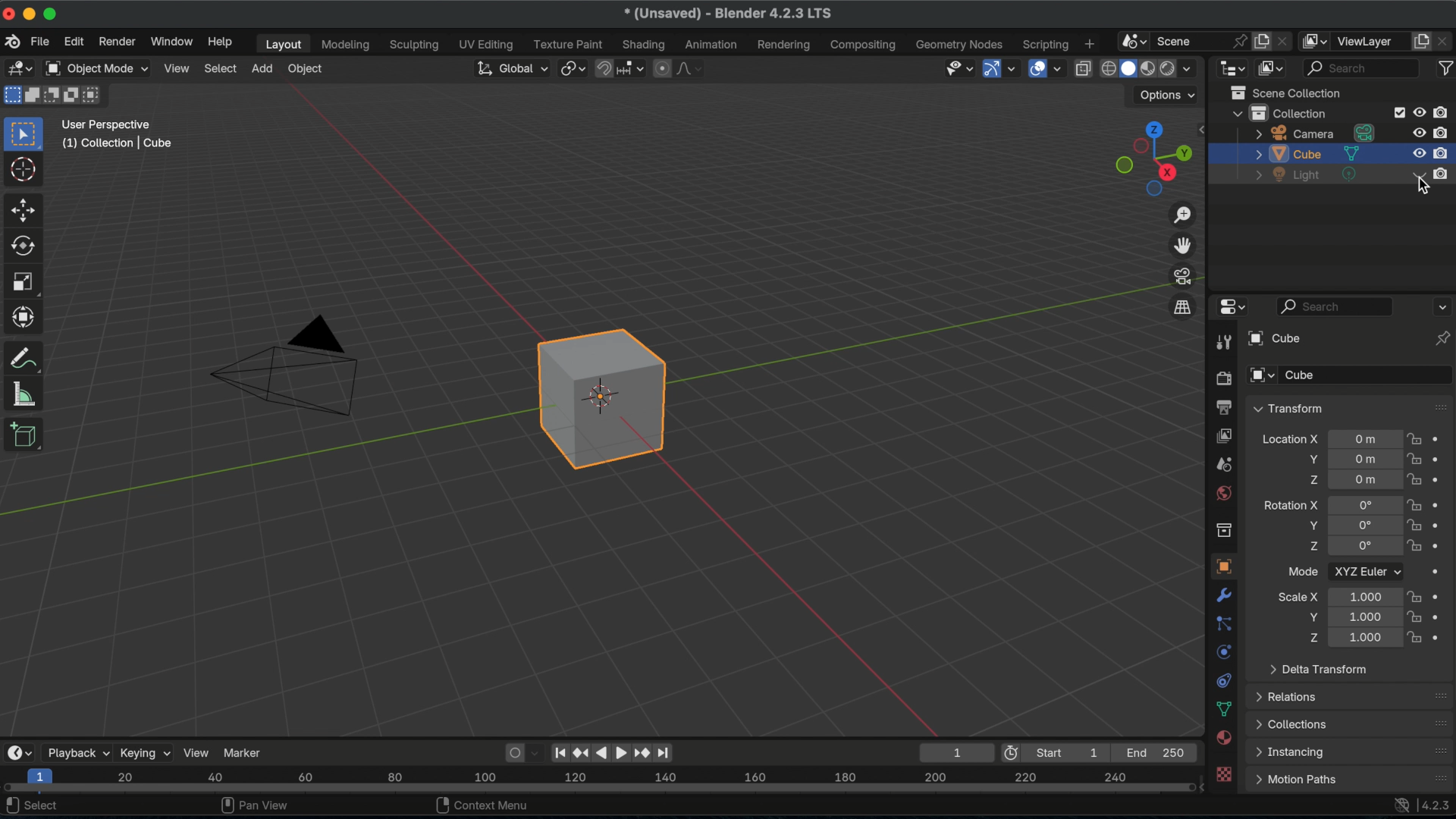 The width and height of the screenshot is (1456, 819). Describe the element at coordinates (118, 41) in the screenshot. I see `render` at that location.